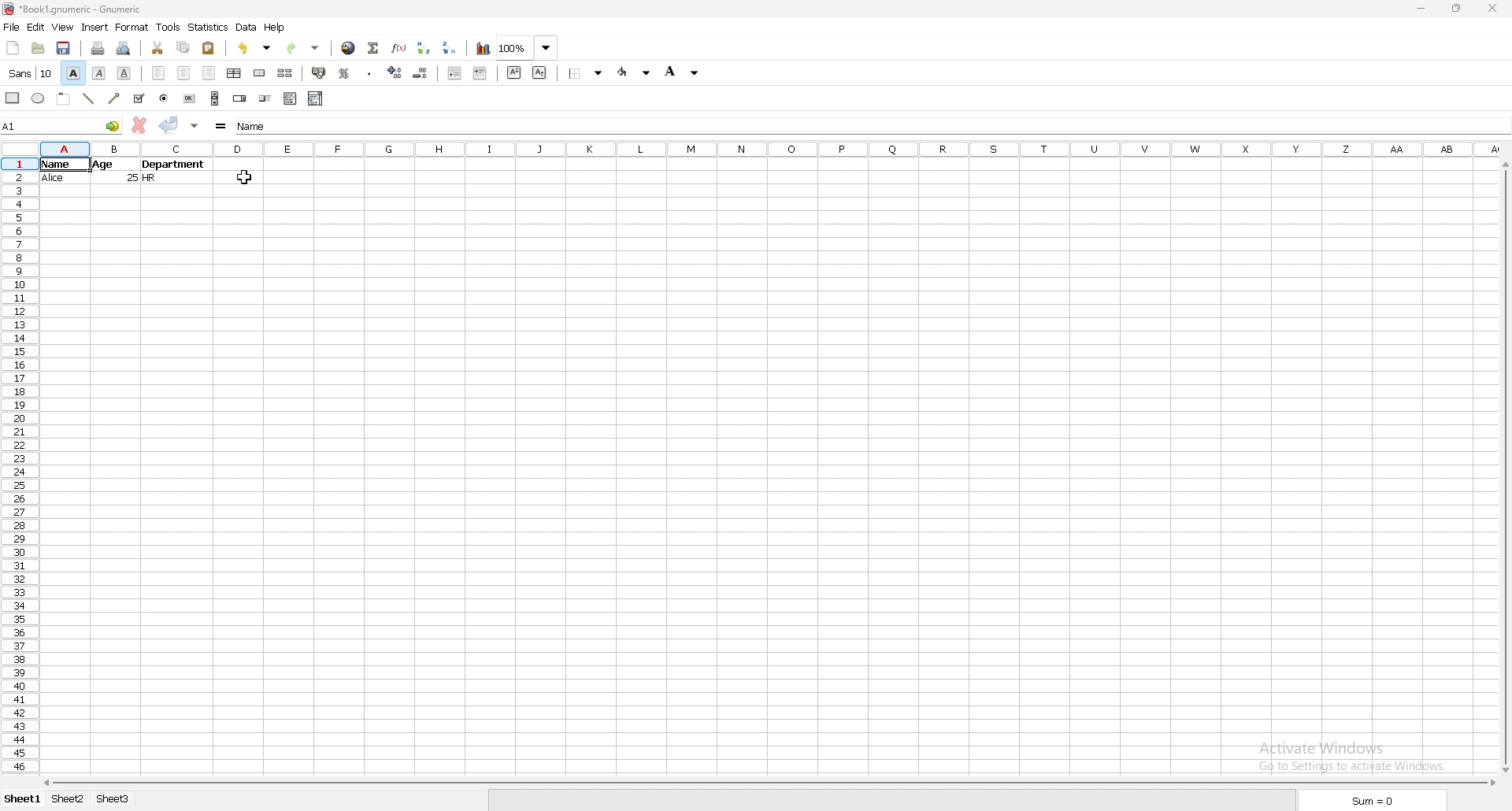 The image size is (1512, 811). What do you see at coordinates (454, 73) in the screenshot?
I see `decrease indent` at bounding box center [454, 73].